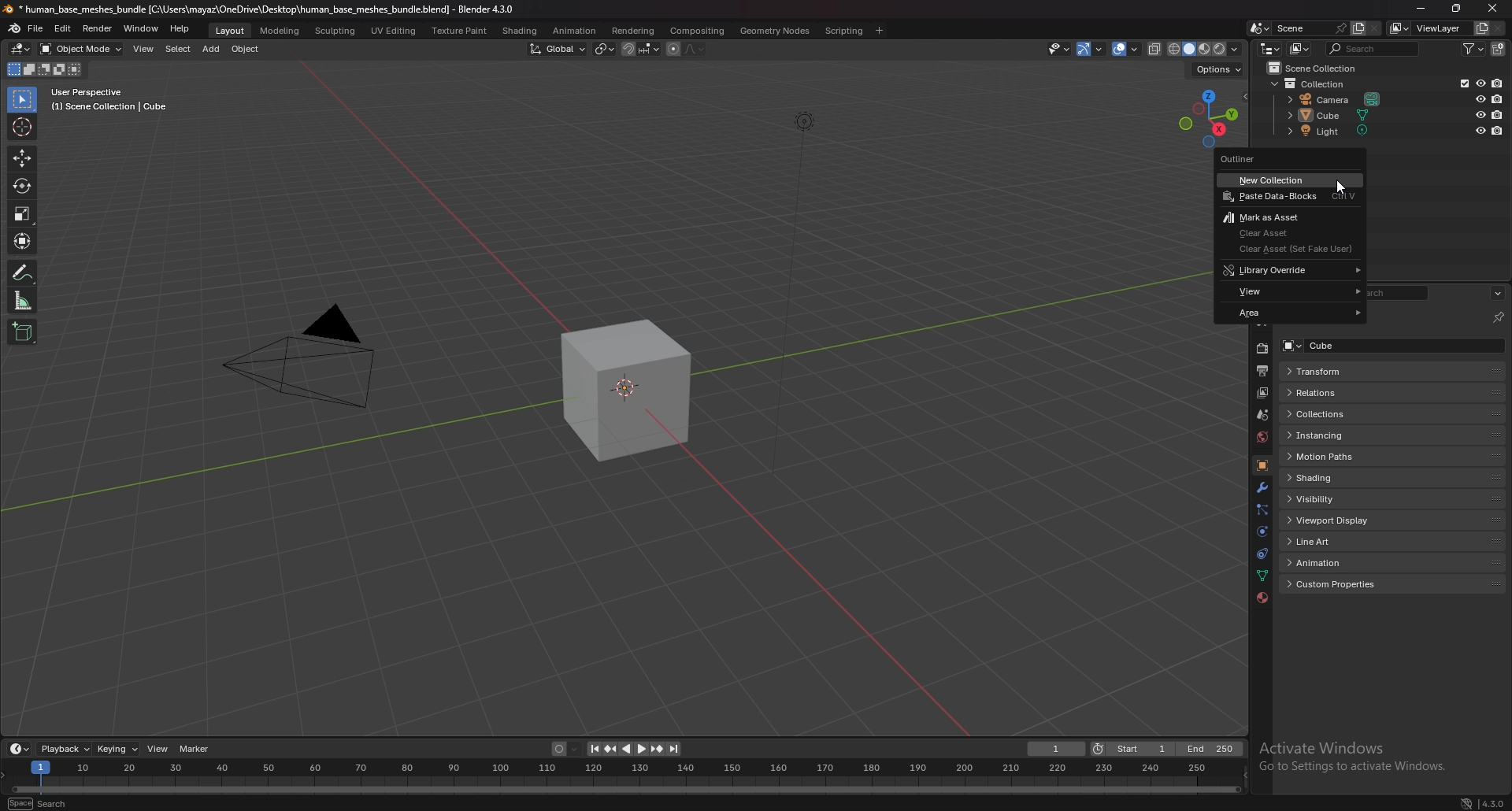 The width and height of the screenshot is (1512, 811). What do you see at coordinates (1480, 114) in the screenshot?
I see `hide in viewport` at bounding box center [1480, 114].